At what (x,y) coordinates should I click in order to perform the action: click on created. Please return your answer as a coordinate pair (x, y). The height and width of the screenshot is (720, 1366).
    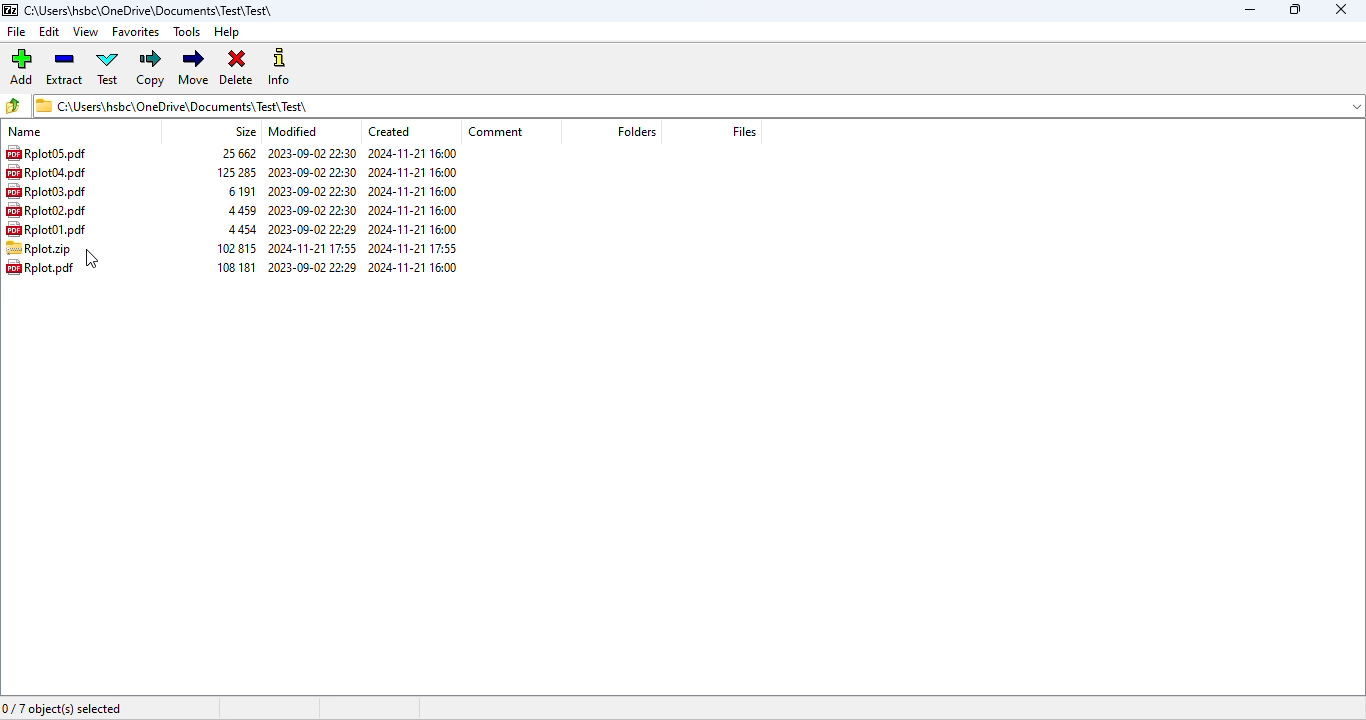
    Looking at the image, I should click on (391, 131).